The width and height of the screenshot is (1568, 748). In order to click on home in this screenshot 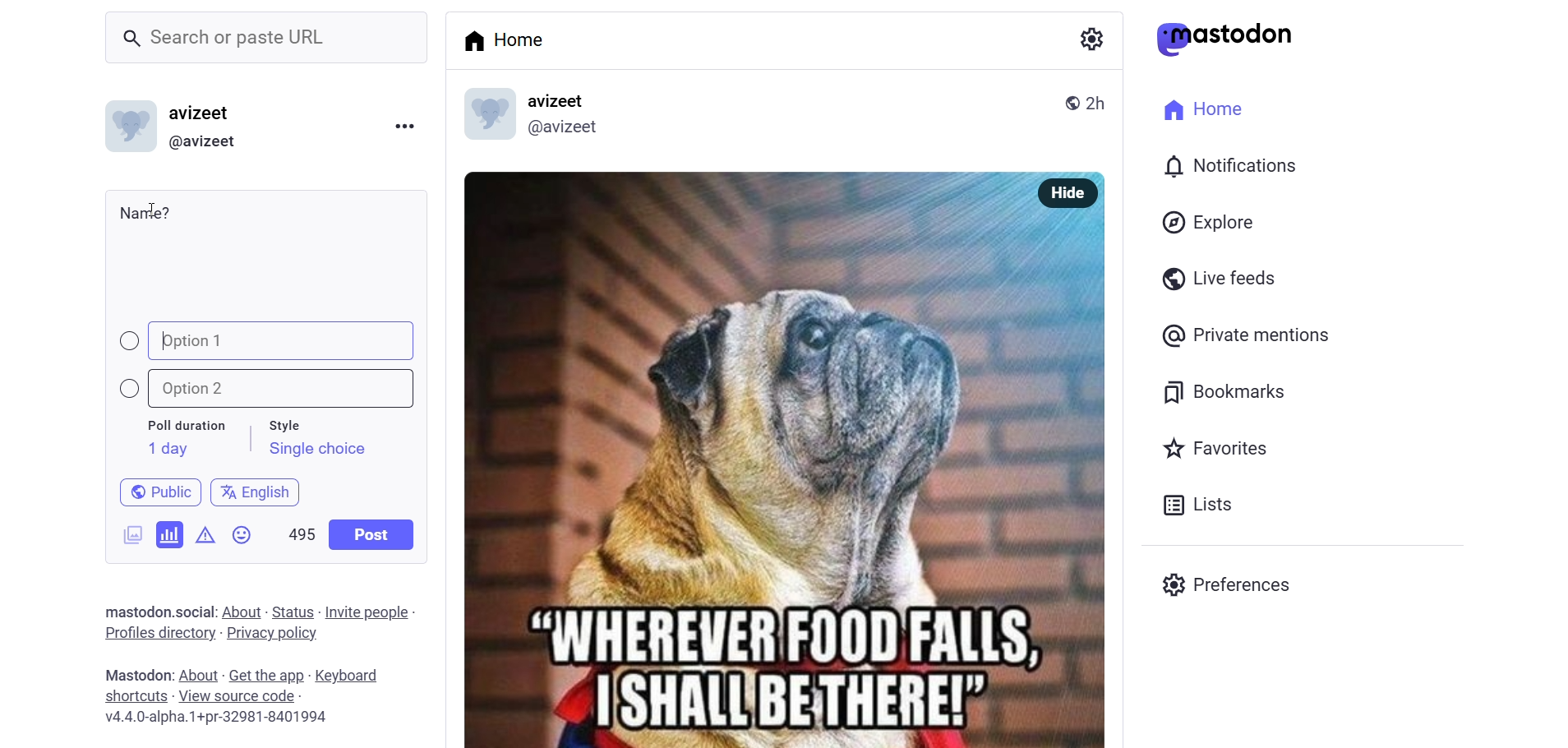, I will do `click(1198, 107)`.